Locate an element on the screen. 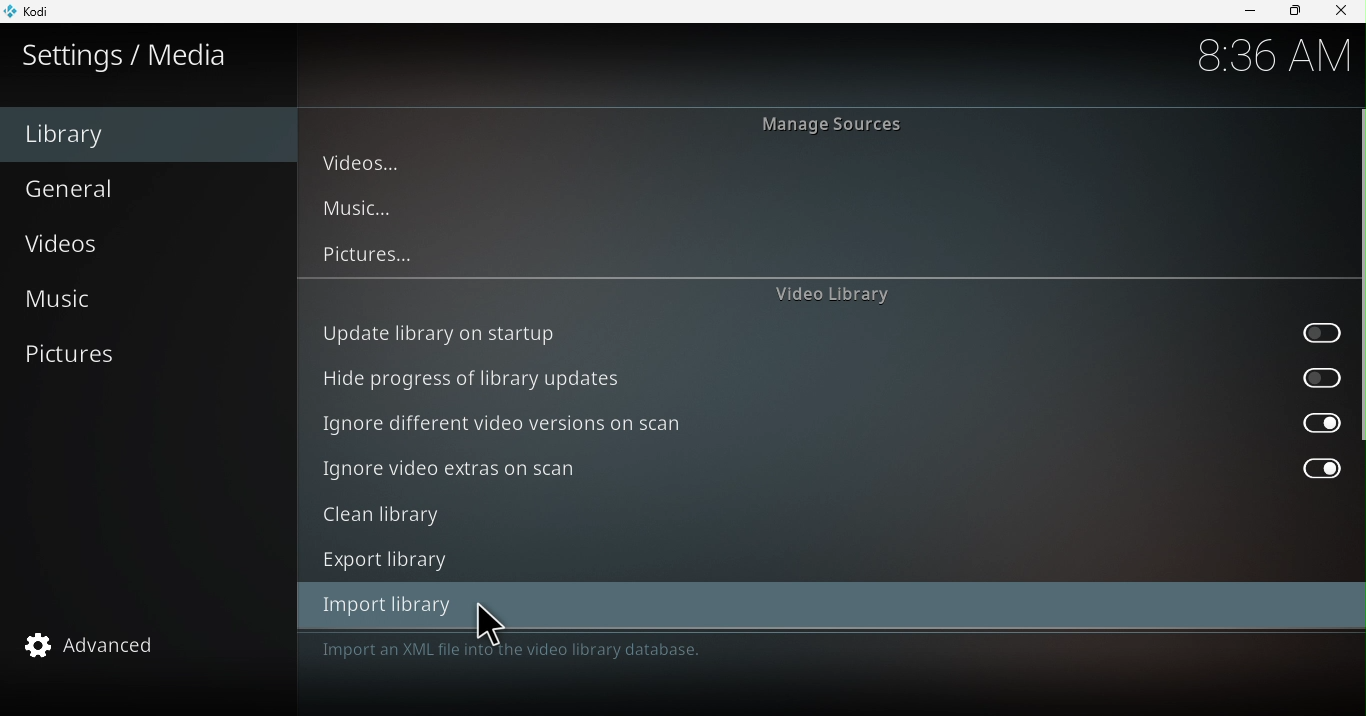 The width and height of the screenshot is (1366, 716). Import library is located at coordinates (820, 604).